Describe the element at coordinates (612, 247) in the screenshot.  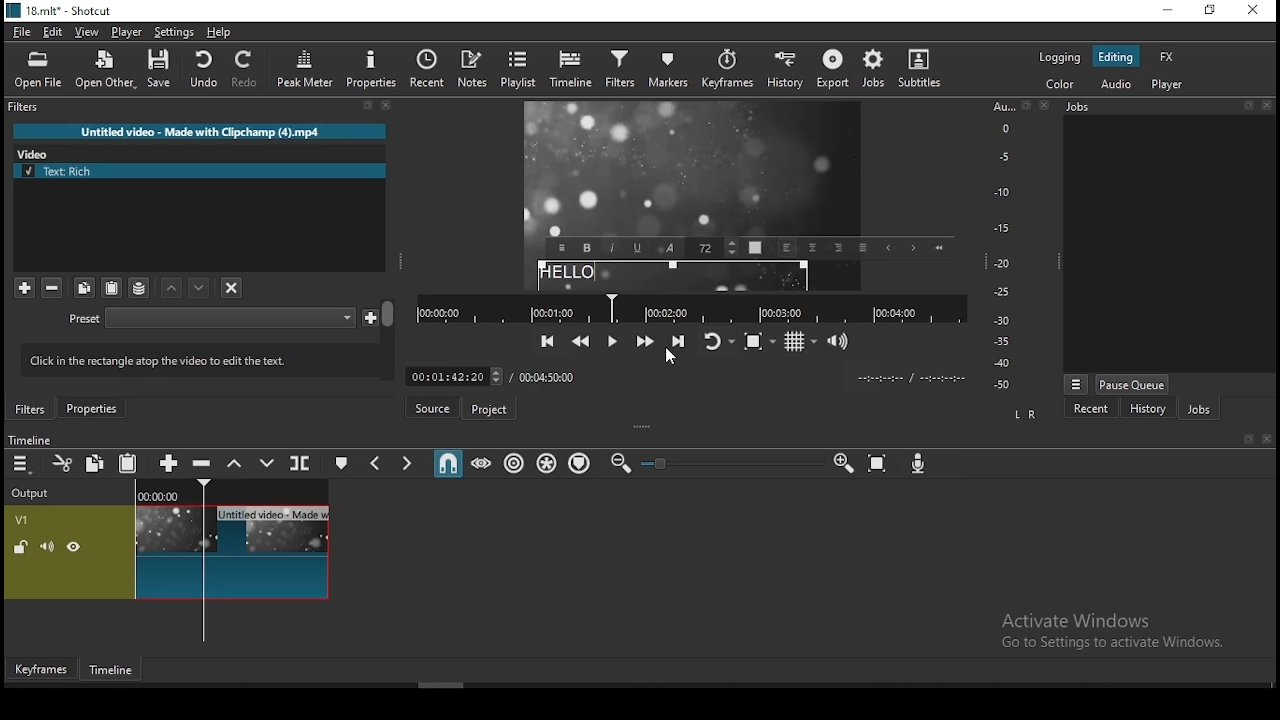
I see `Italic` at that location.